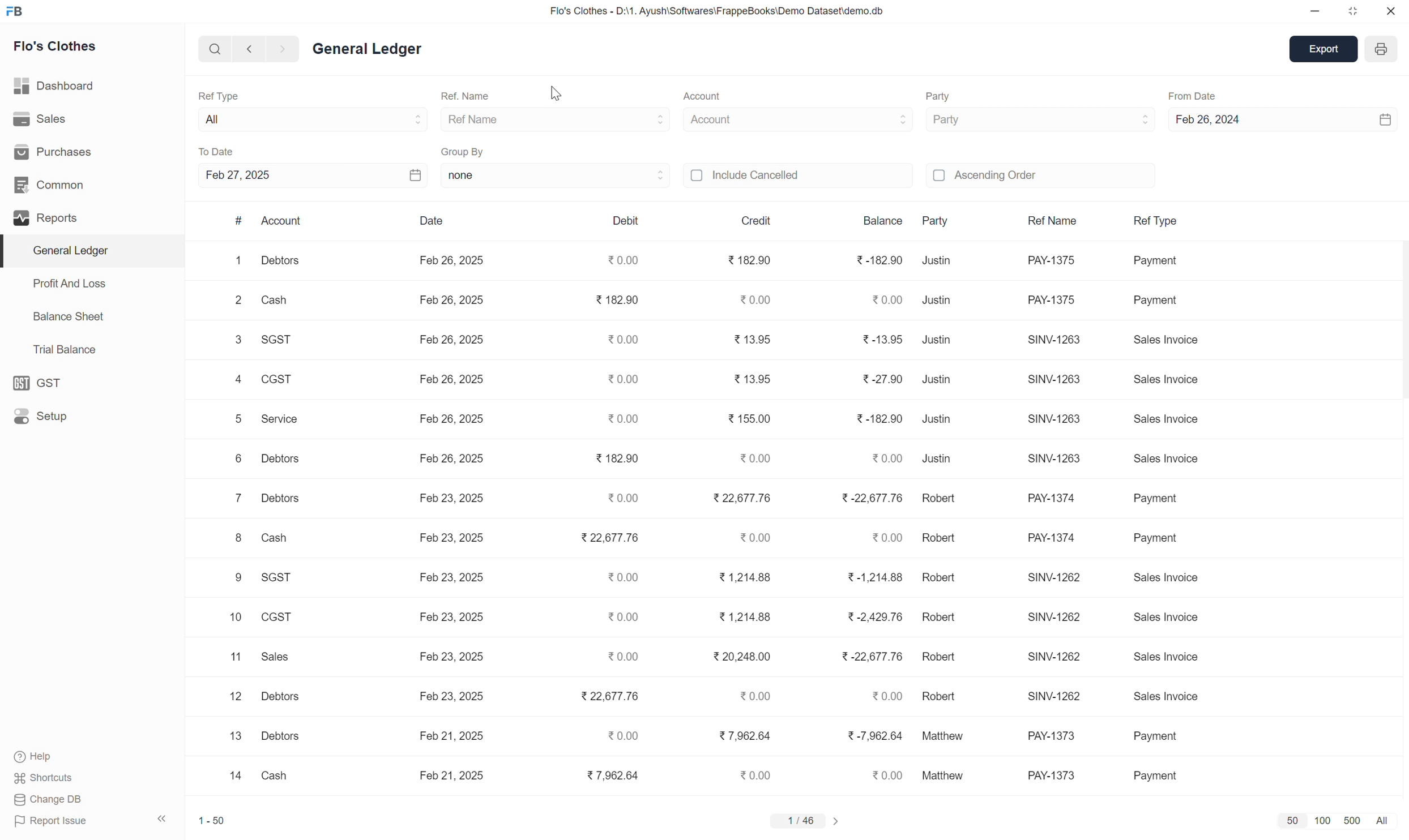 The height and width of the screenshot is (840, 1409). Describe the element at coordinates (738, 175) in the screenshot. I see `icluded cancelled` at that location.